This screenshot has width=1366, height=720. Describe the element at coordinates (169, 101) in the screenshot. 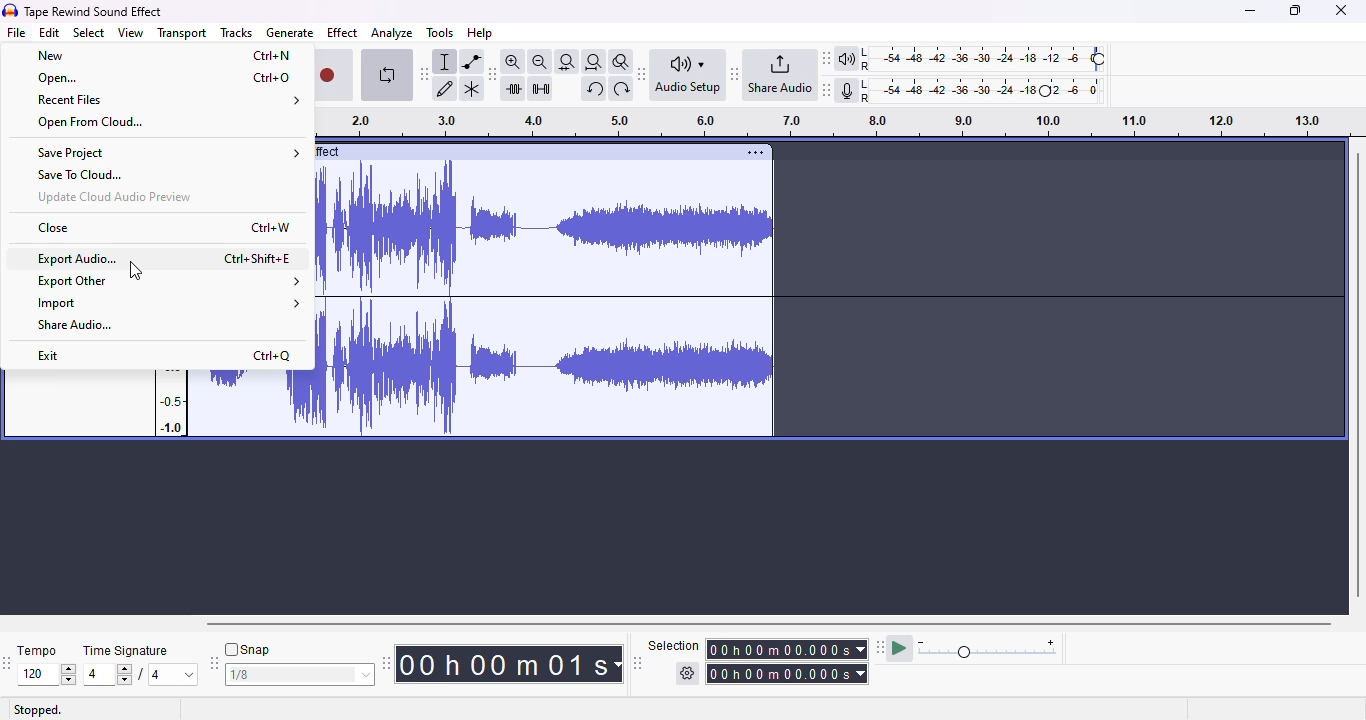

I see `recent files` at that location.